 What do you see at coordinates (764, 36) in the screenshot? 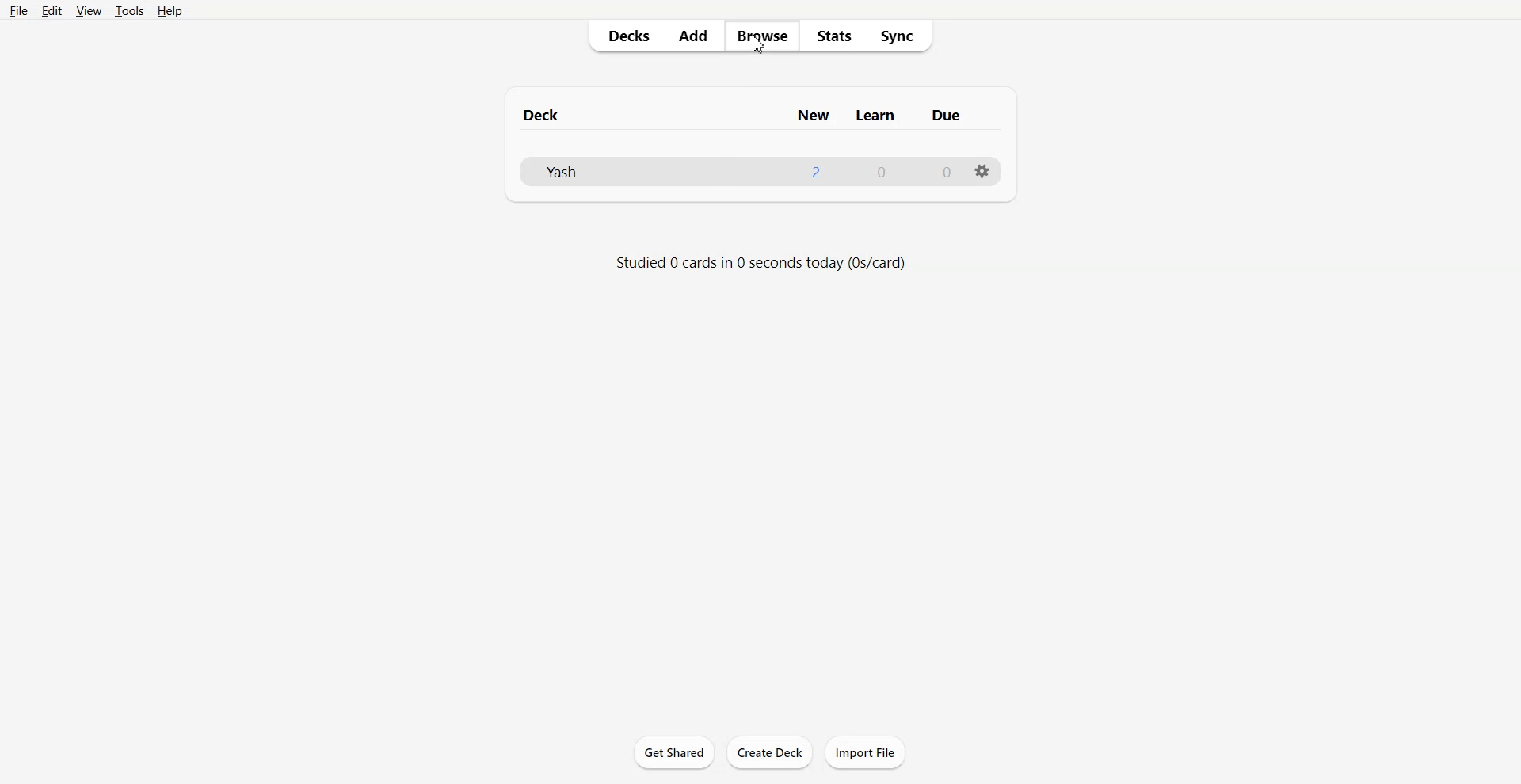
I see `Browse` at bounding box center [764, 36].